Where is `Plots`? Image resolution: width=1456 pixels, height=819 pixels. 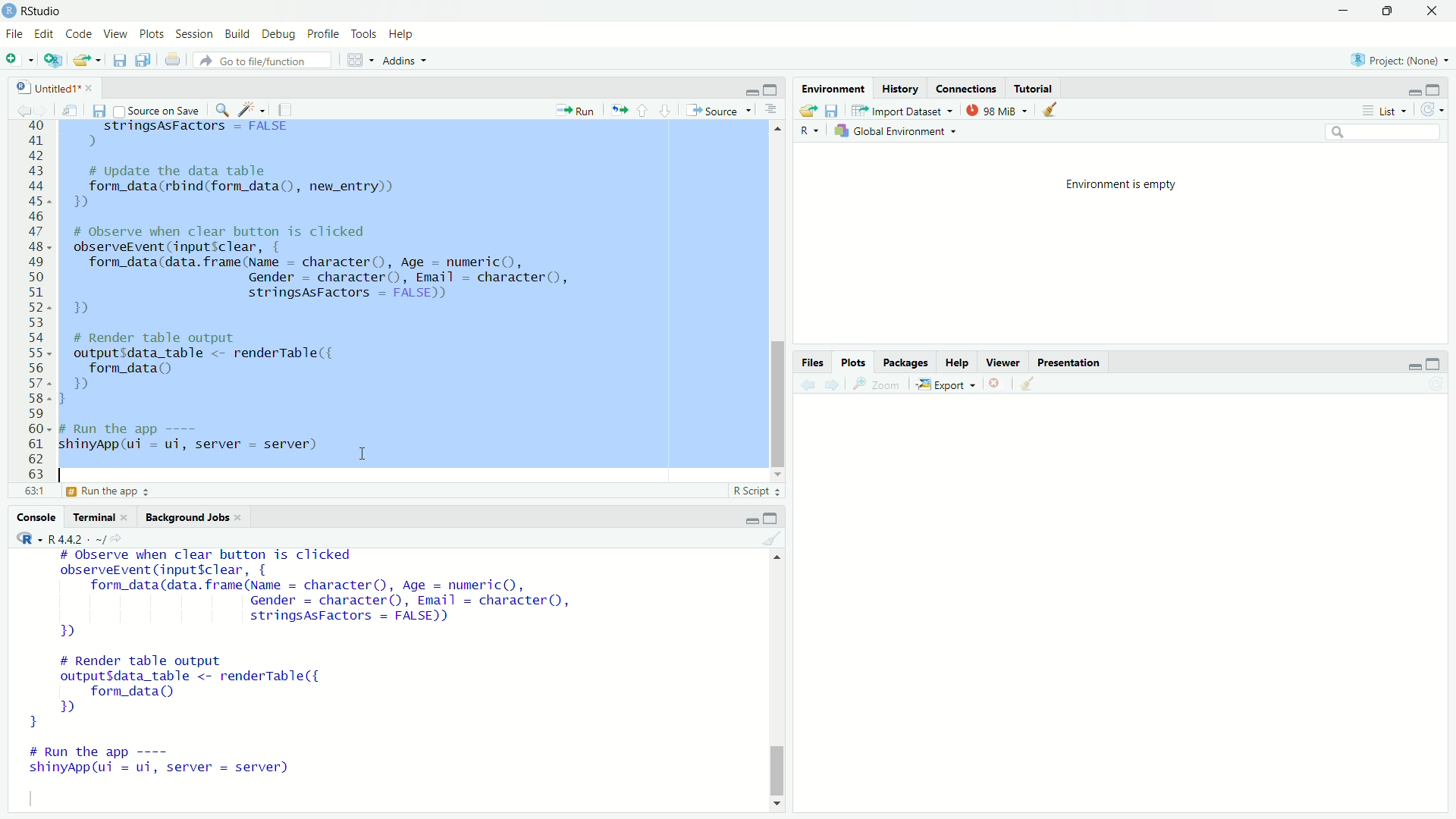 Plots is located at coordinates (152, 34).